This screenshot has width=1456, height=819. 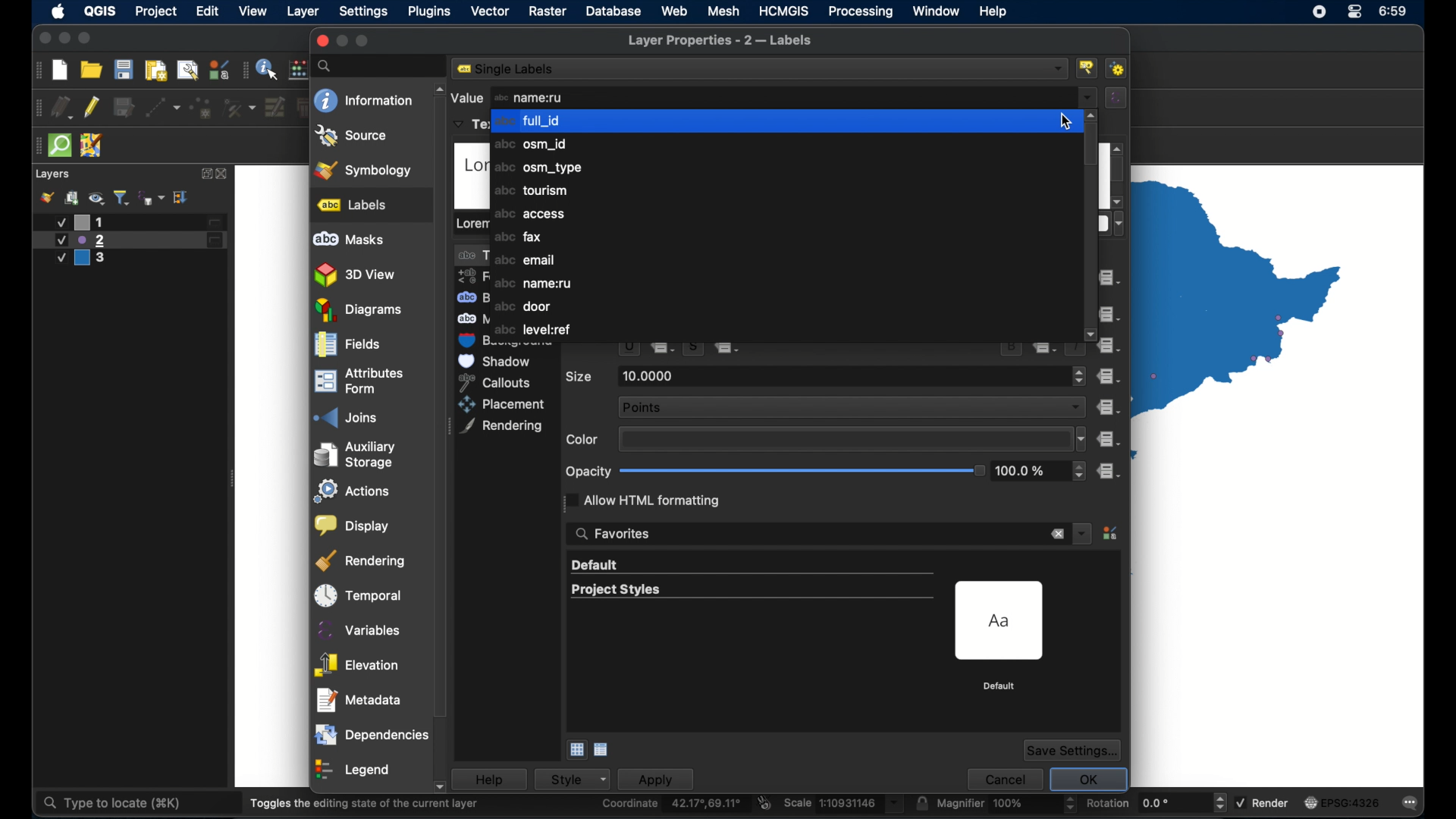 I want to click on default, so click(x=1000, y=686).